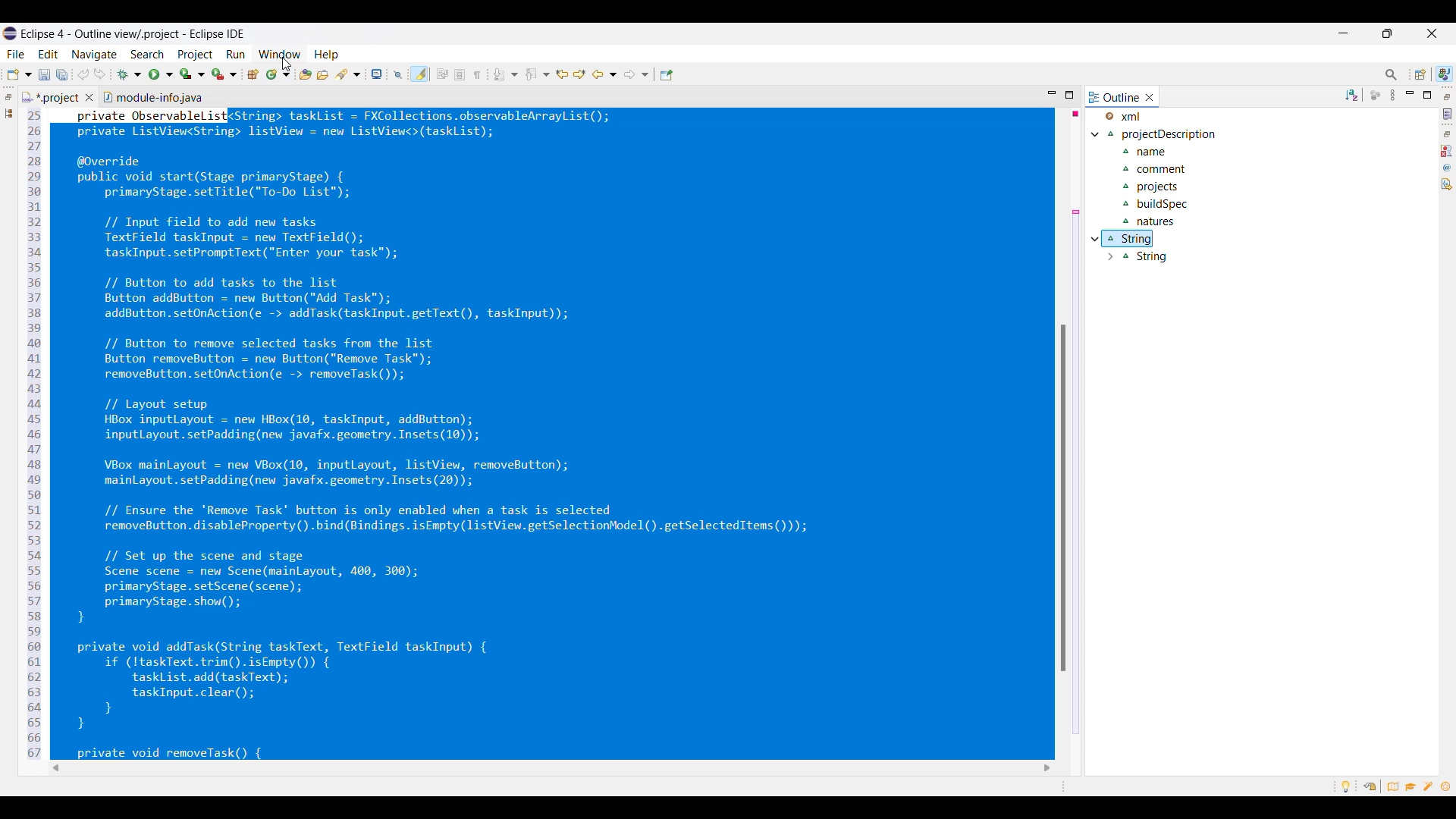 The image size is (1456, 819). Describe the element at coordinates (579, 74) in the screenshot. I see `Next edit location` at that location.